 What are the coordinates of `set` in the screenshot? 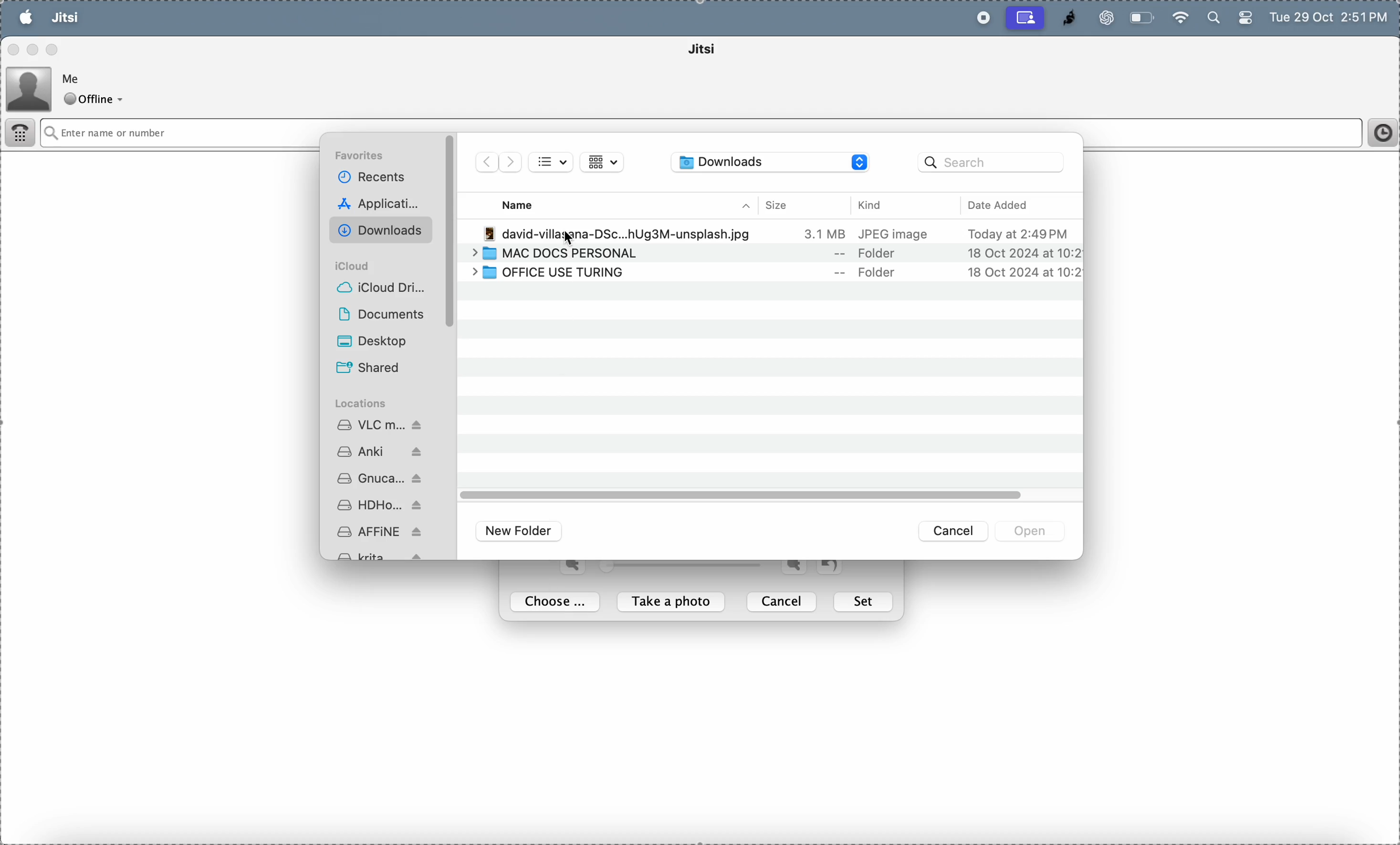 It's located at (865, 602).